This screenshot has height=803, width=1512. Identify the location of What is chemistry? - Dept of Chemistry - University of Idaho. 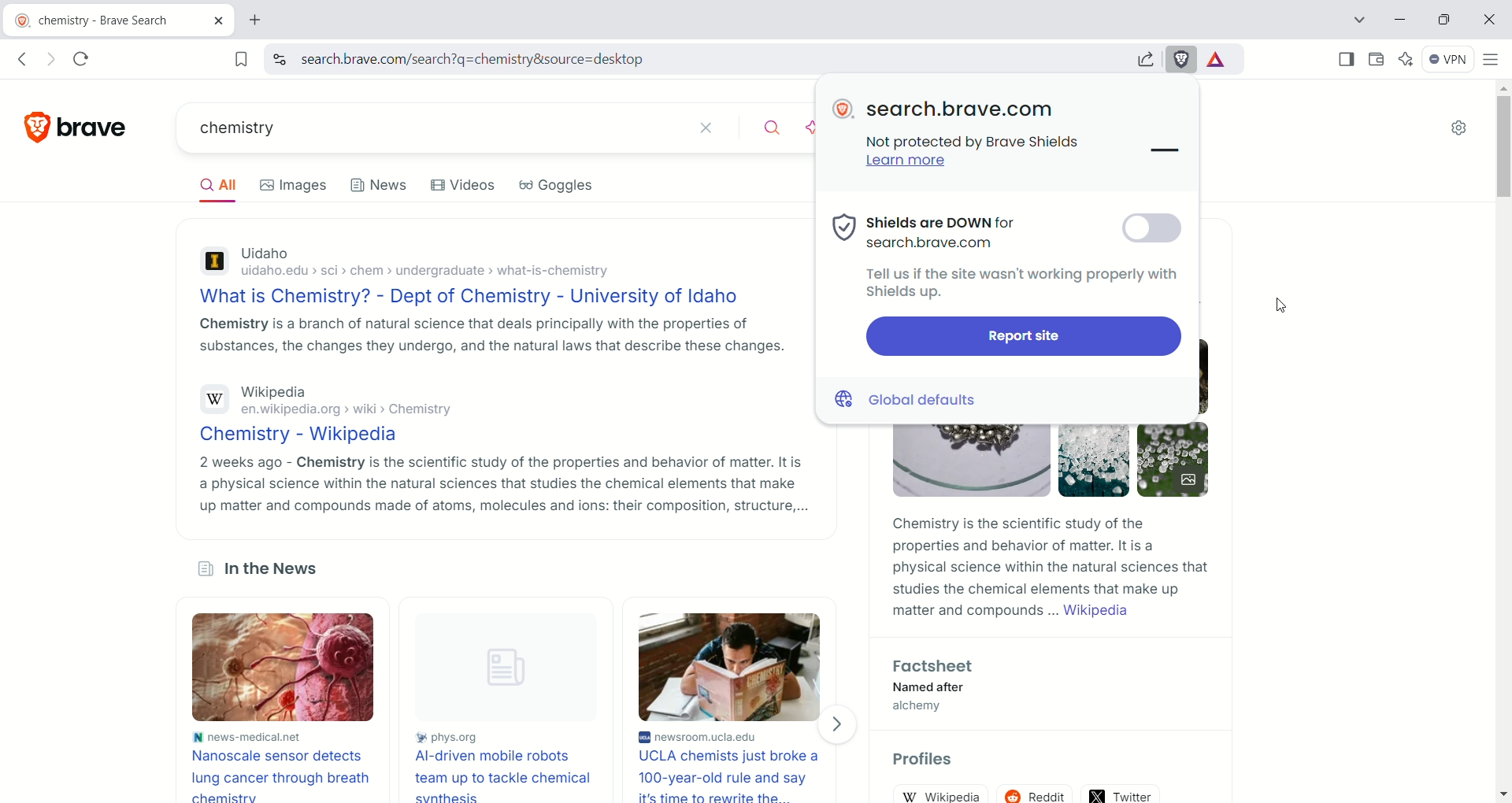
(487, 298).